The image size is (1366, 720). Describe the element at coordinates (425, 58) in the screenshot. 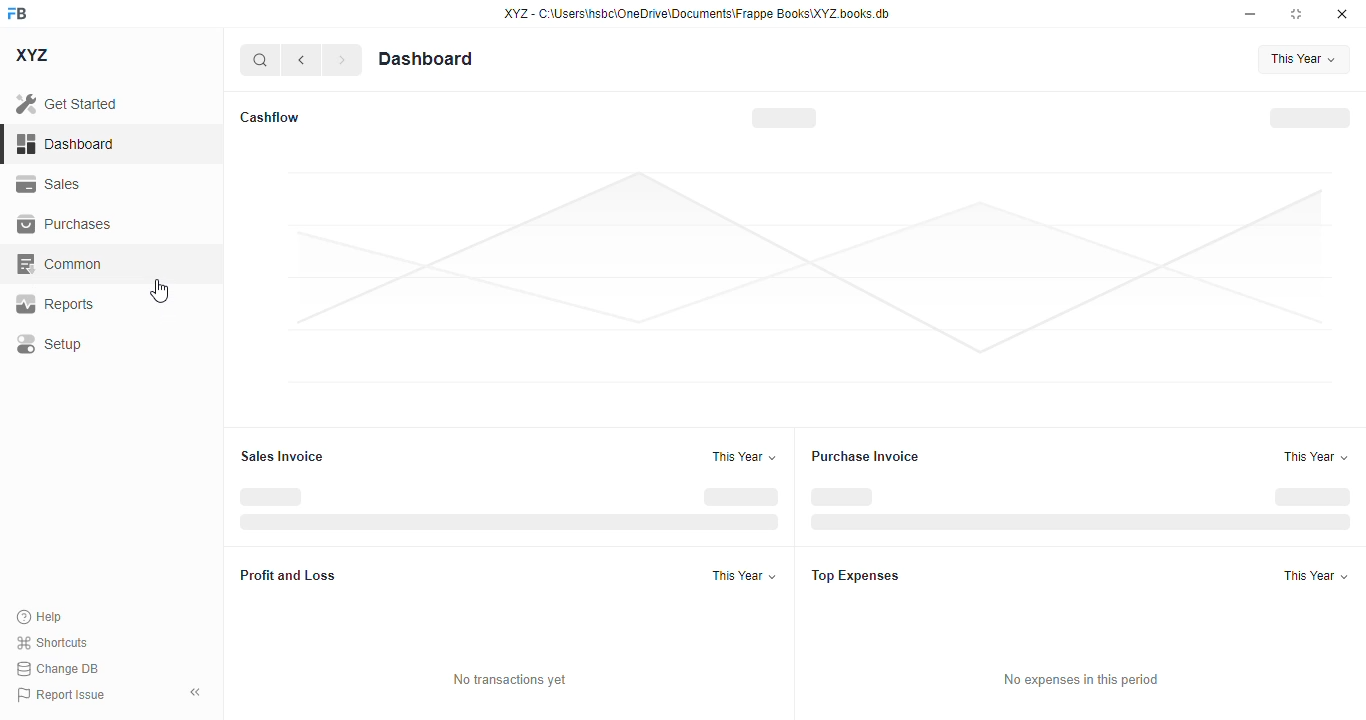

I see `dashboard` at that location.